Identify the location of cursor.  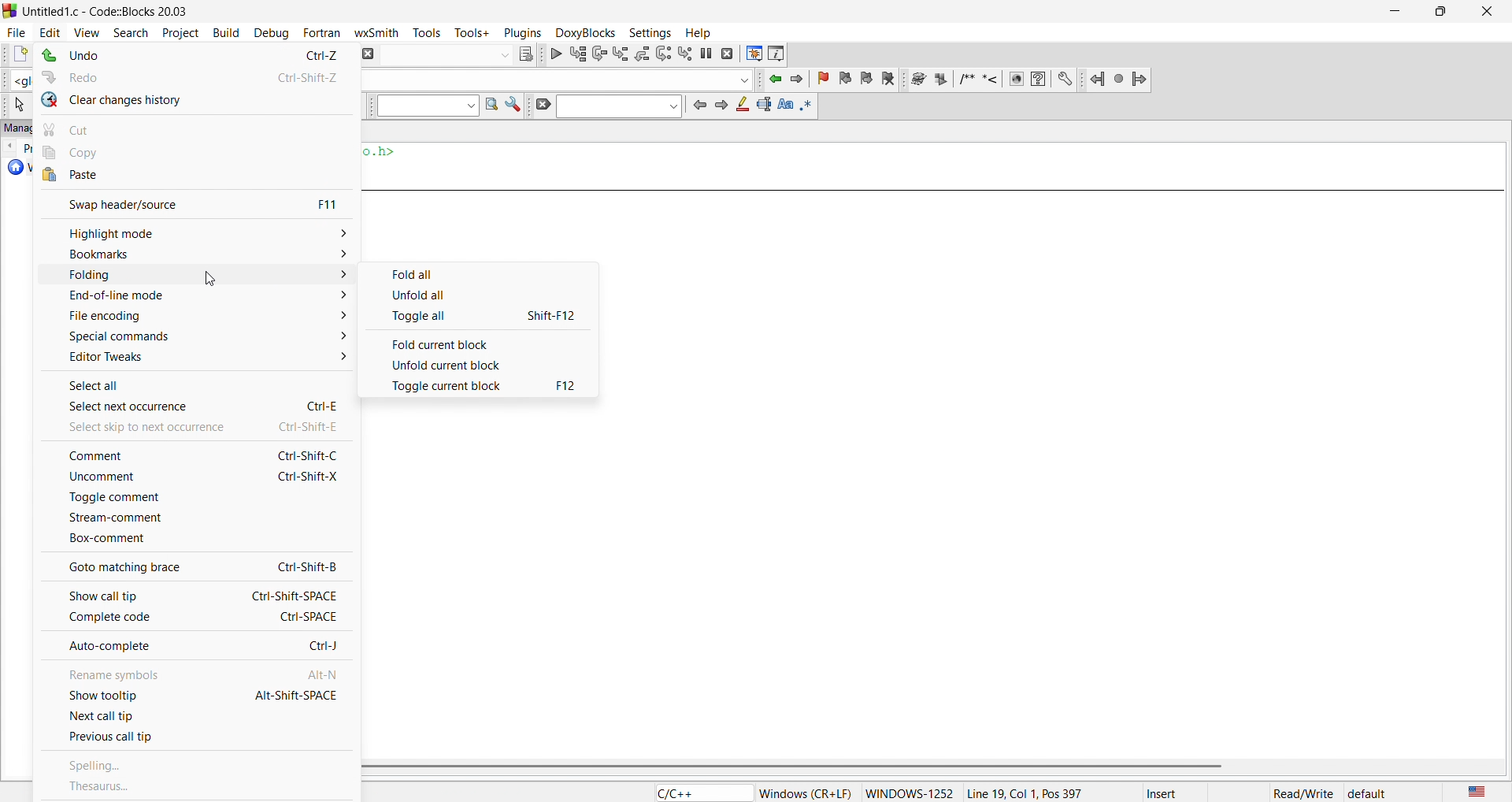
(211, 276).